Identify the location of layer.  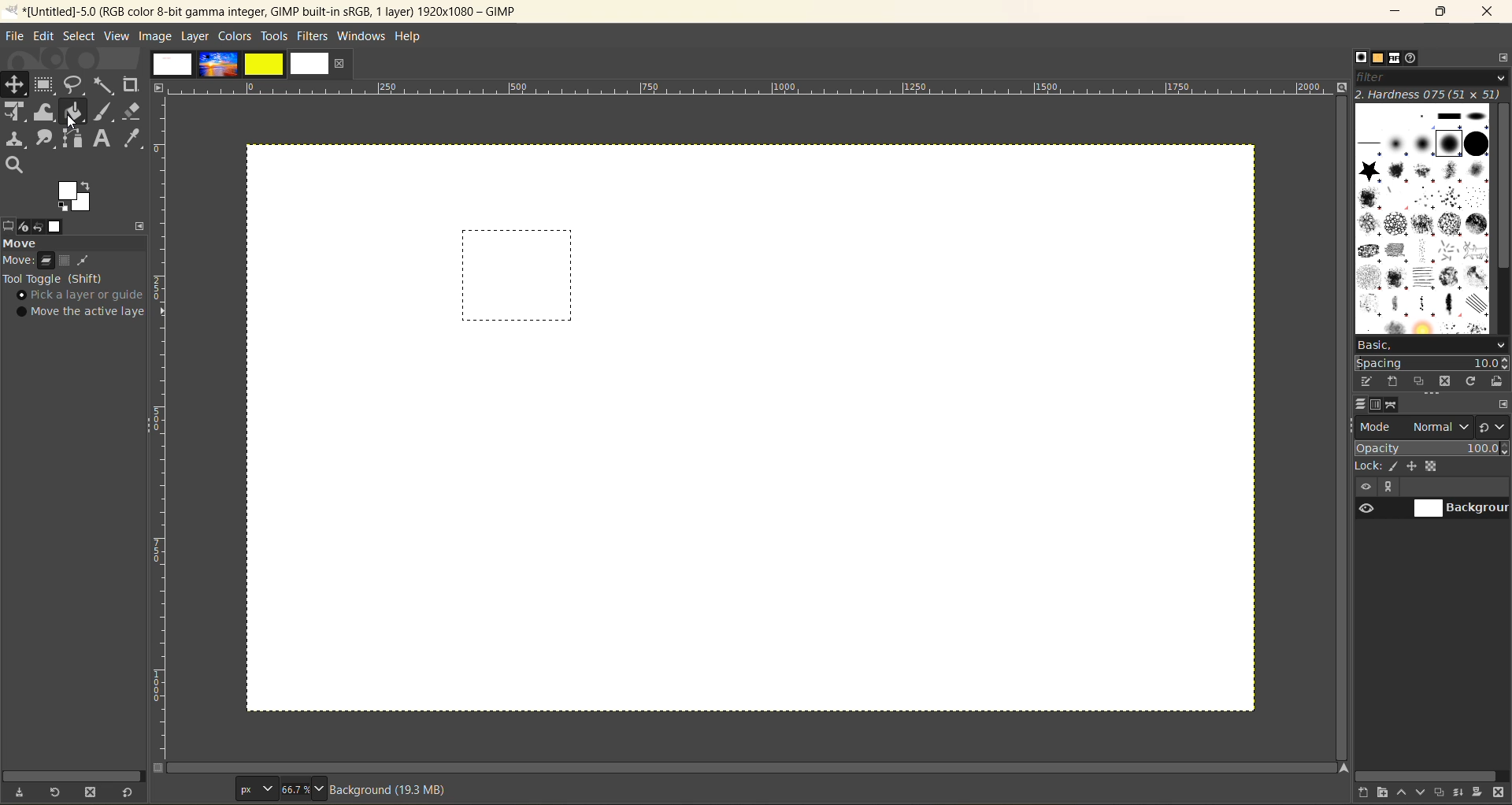
(196, 36).